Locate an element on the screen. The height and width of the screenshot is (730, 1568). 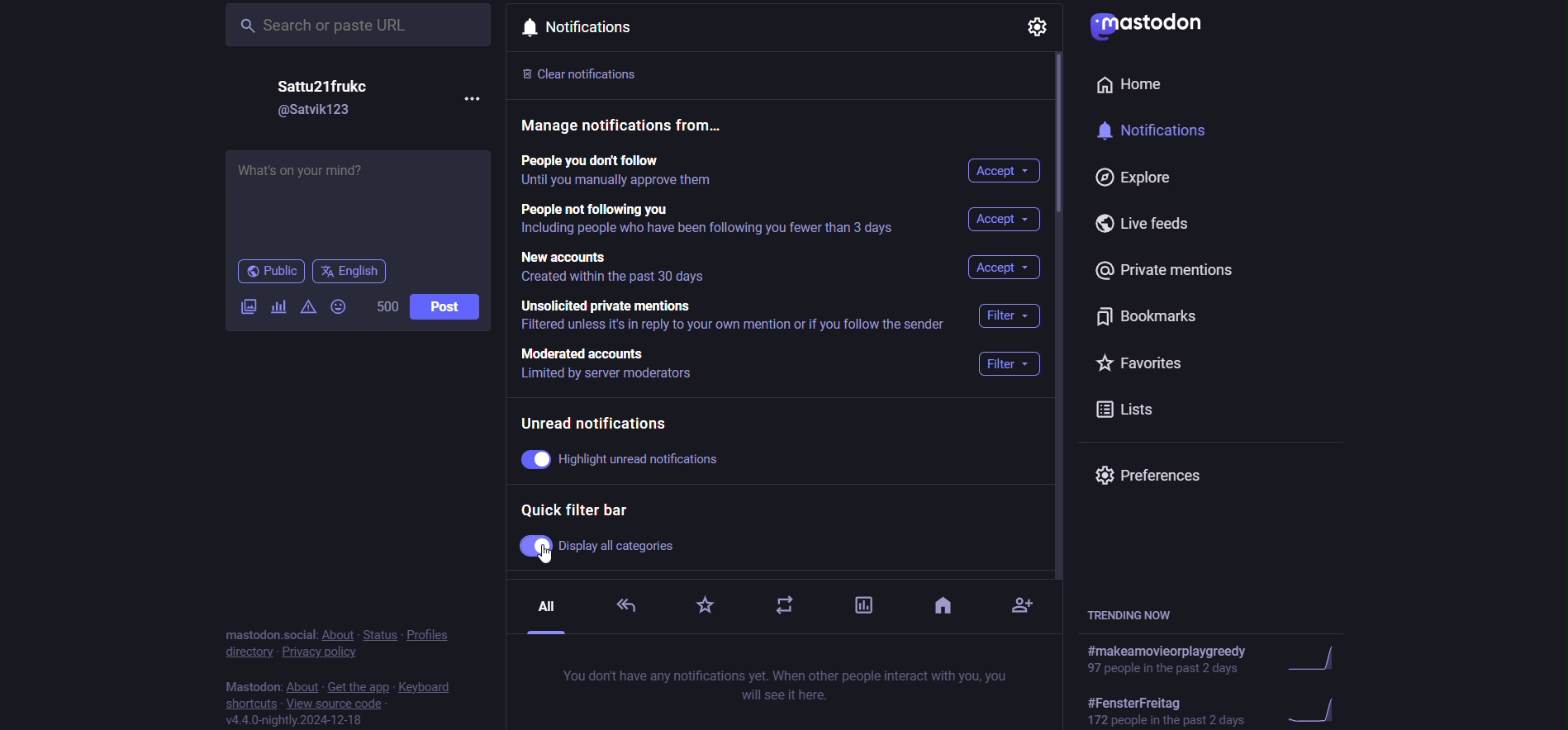
#makeamovieorplaygreedy
97 people in the past 2 days is located at coordinates (1174, 658).